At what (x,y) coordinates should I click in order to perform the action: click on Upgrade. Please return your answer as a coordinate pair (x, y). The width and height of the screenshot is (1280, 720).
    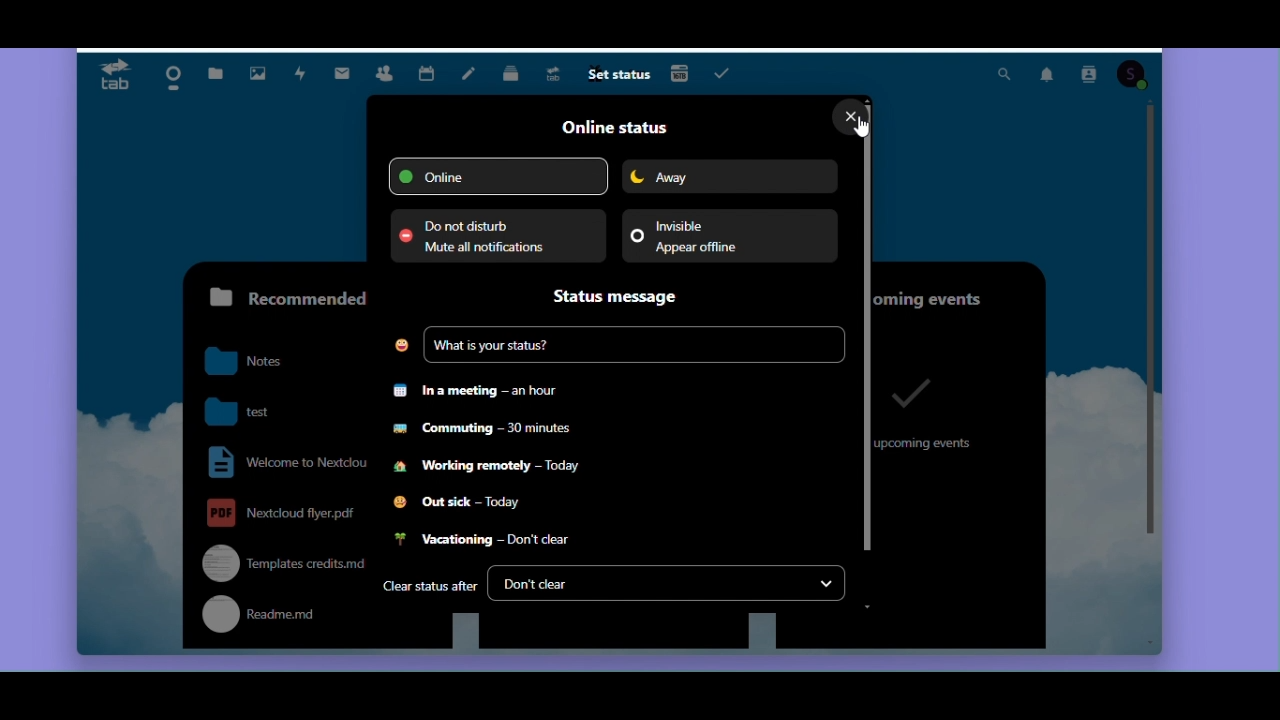
    Looking at the image, I should click on (557, 75).